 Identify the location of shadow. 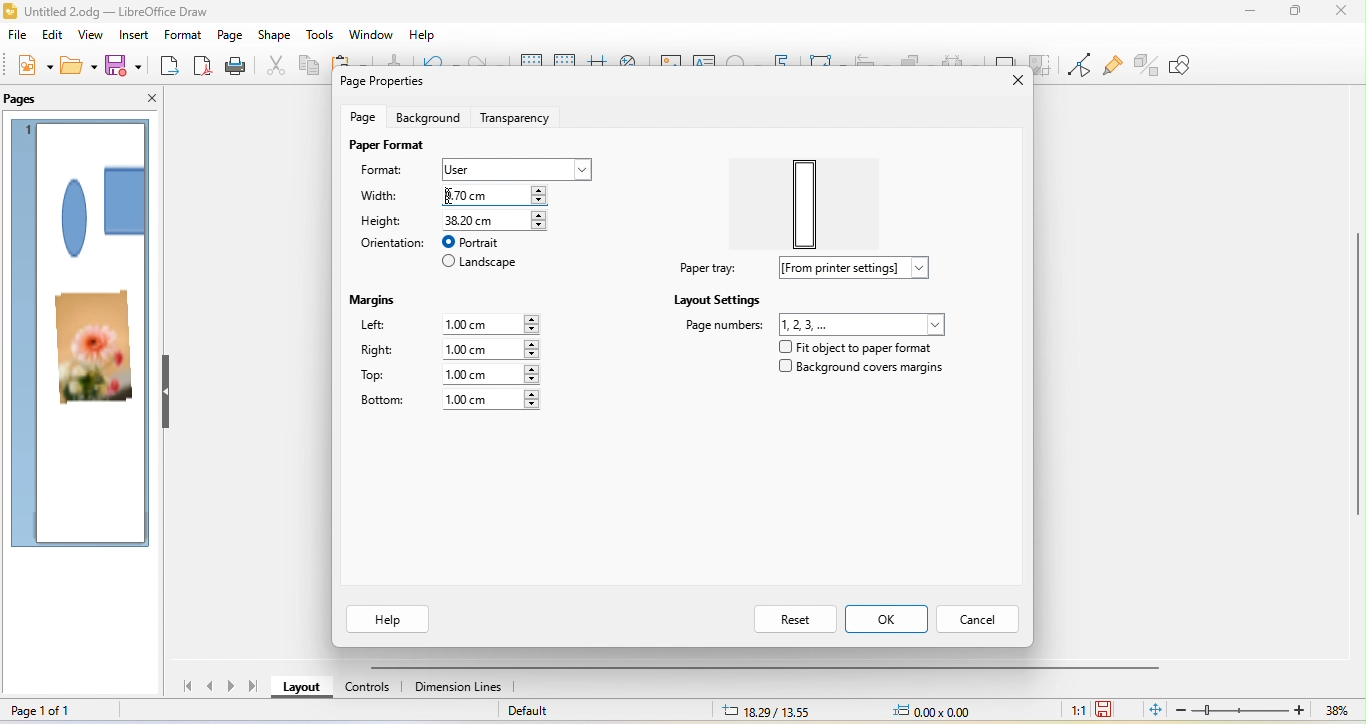
(1004, 52).